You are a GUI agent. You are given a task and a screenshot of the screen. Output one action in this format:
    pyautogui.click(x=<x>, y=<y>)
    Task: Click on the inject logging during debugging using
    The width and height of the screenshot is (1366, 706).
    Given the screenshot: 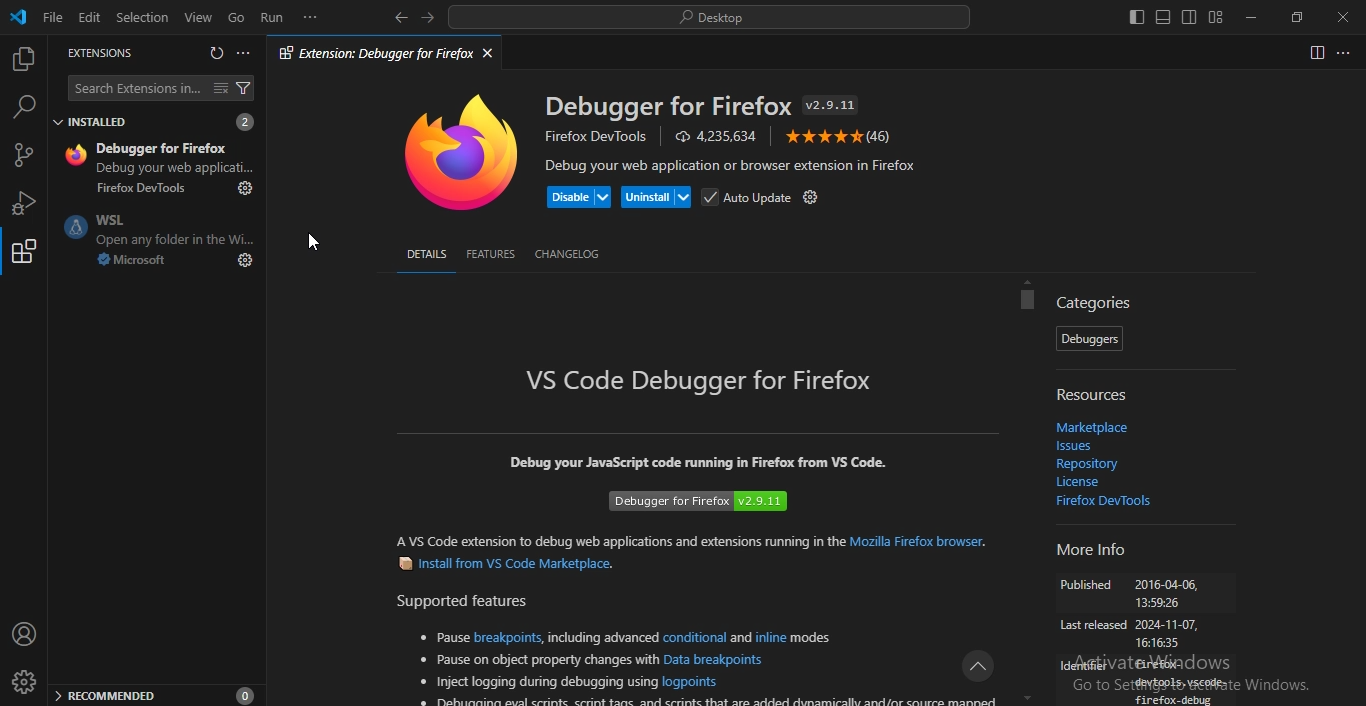 What is the action you would take?
    pyautogui.click(x=539, y=683)
    